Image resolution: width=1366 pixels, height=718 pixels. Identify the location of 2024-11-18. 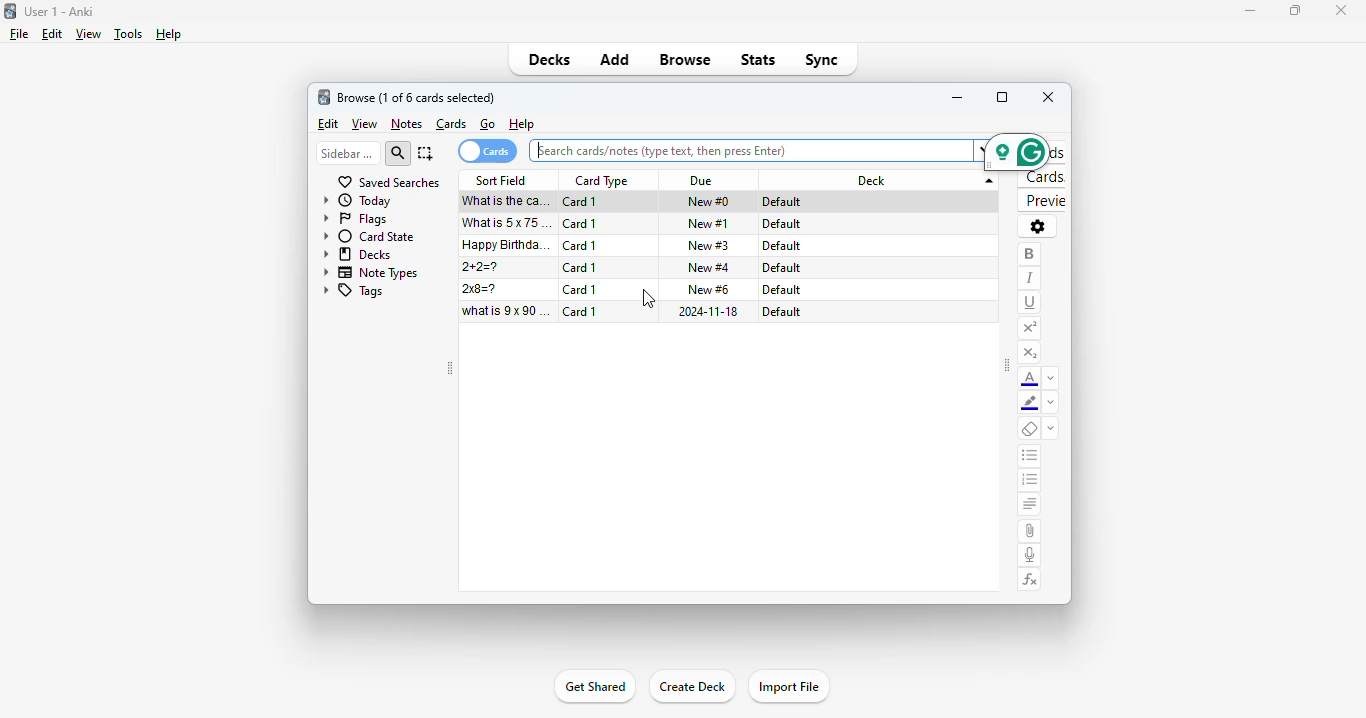
(709, 312).